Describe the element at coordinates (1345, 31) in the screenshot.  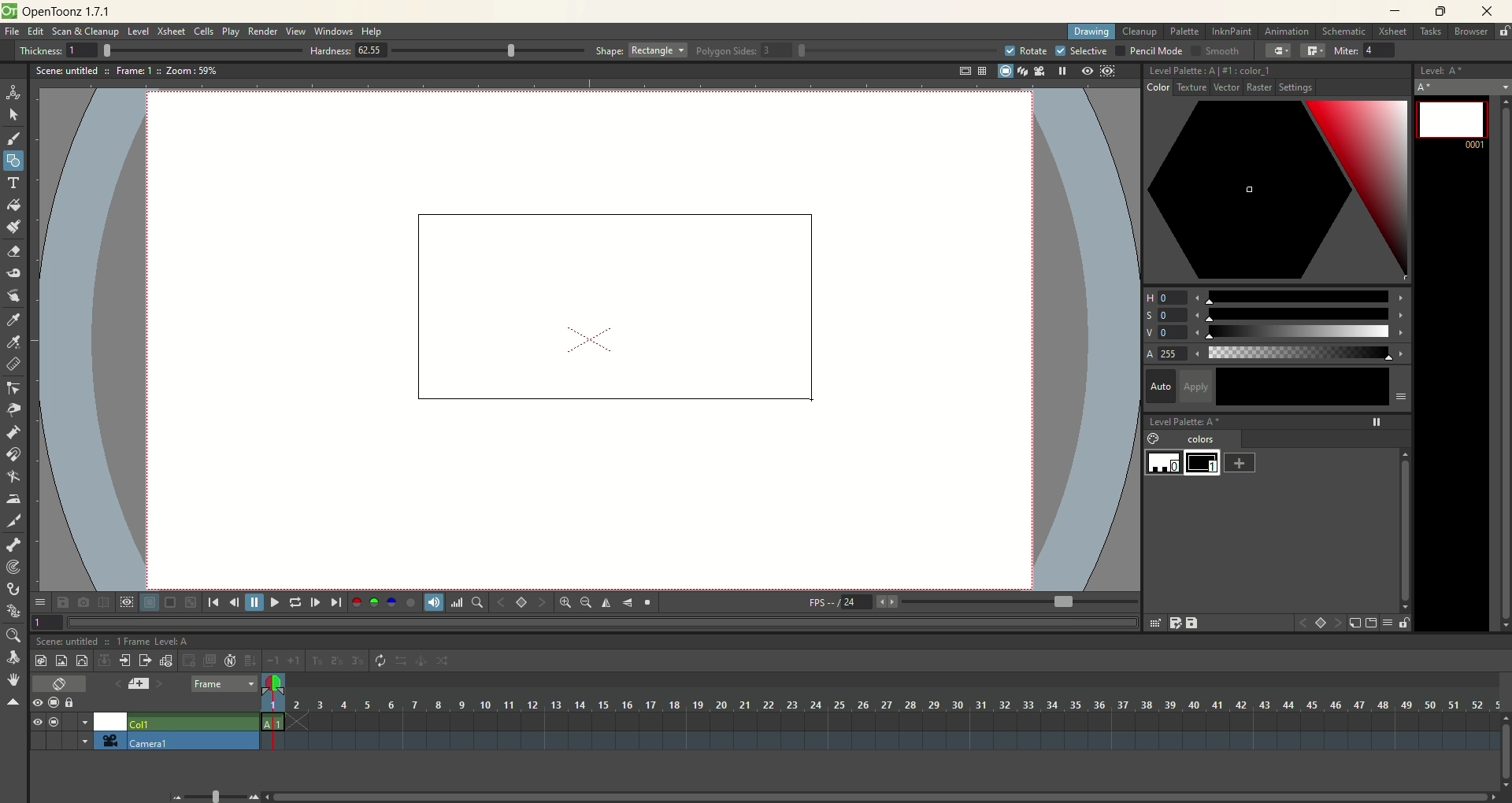
I see `schematic` at that location.